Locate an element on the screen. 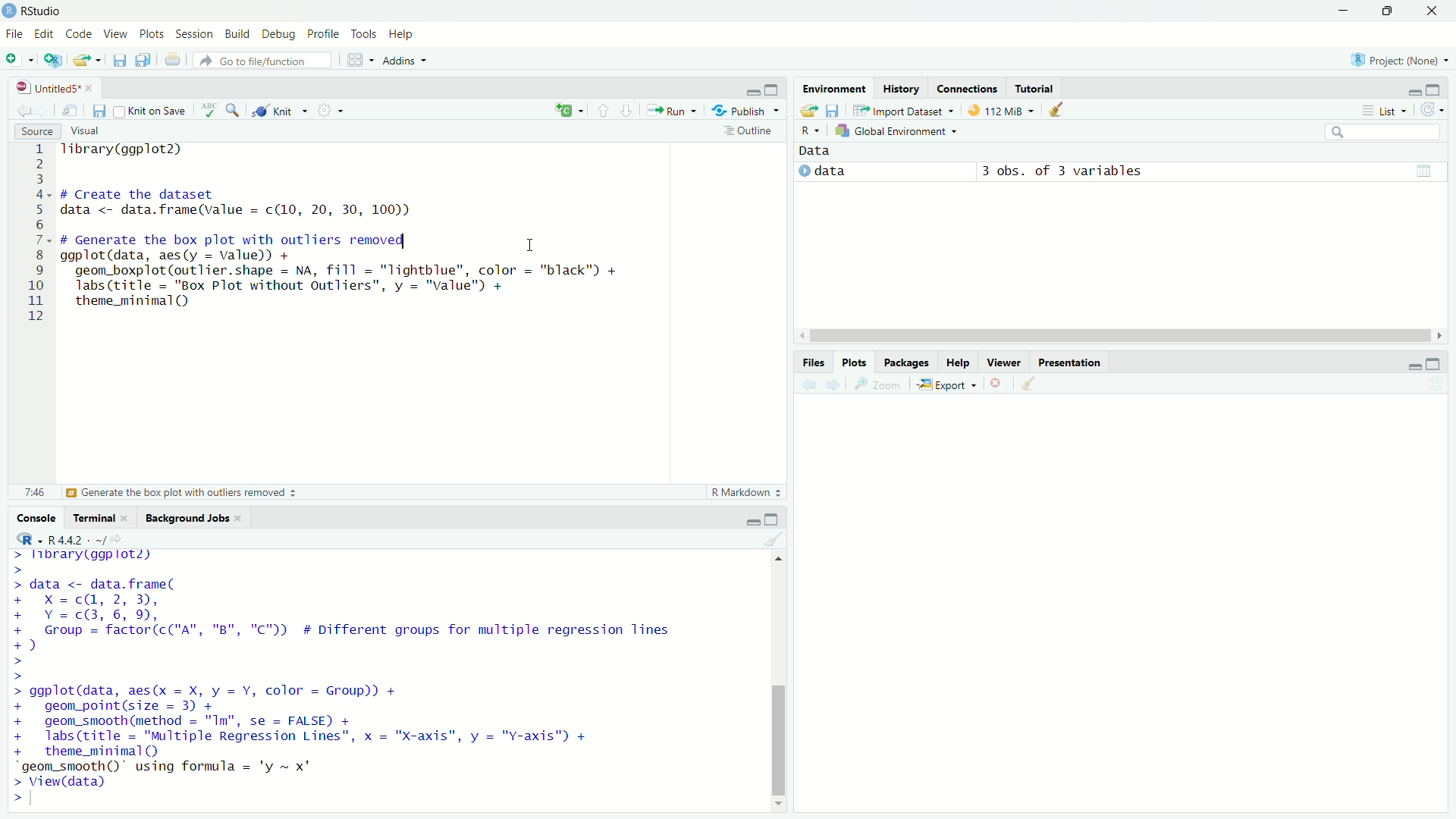  7:46 is located at coordinates (31, 491).